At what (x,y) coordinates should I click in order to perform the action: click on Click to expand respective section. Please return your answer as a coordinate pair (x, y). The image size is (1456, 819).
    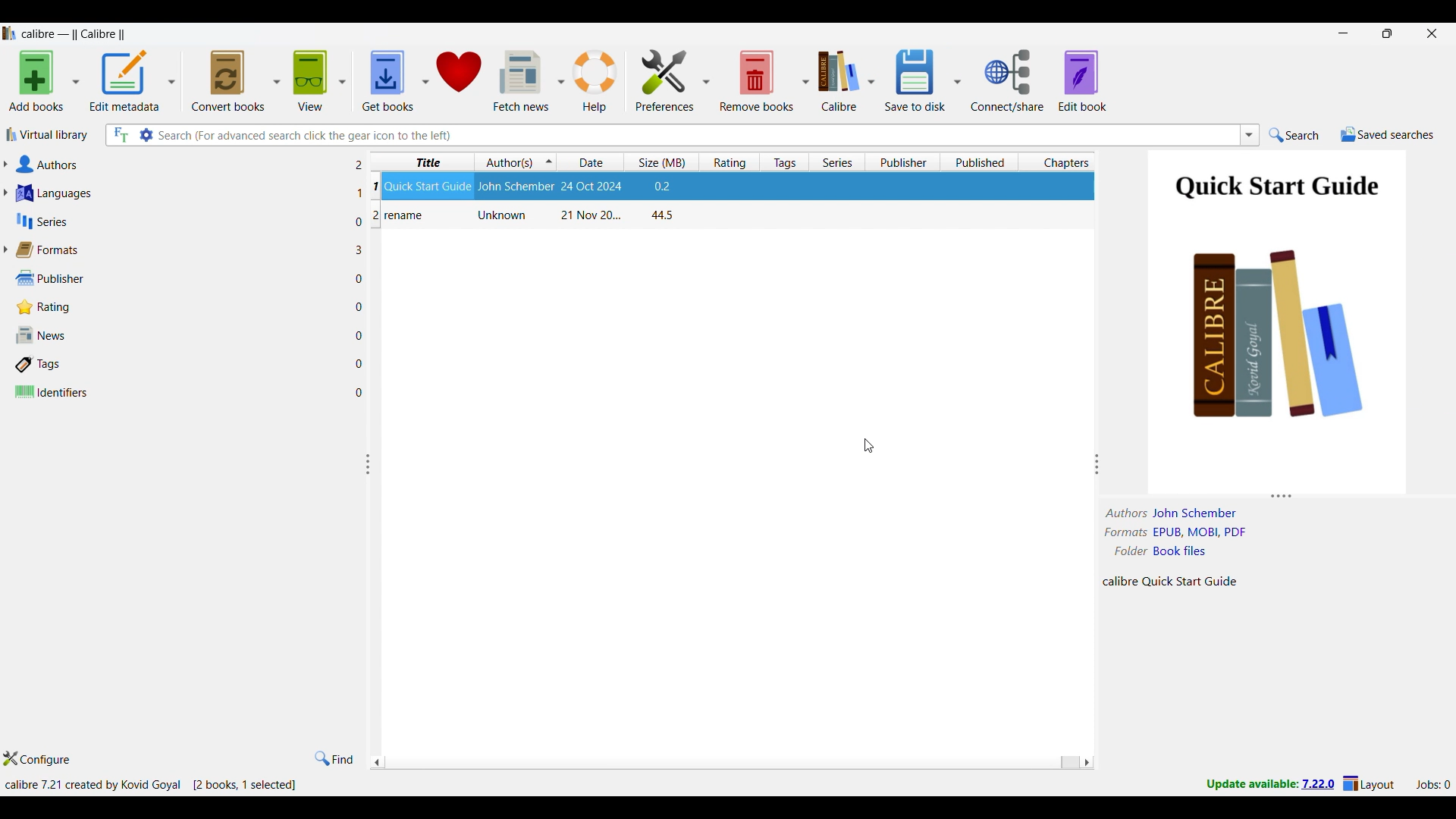
    Looking at the image, I should click on (5, 208).